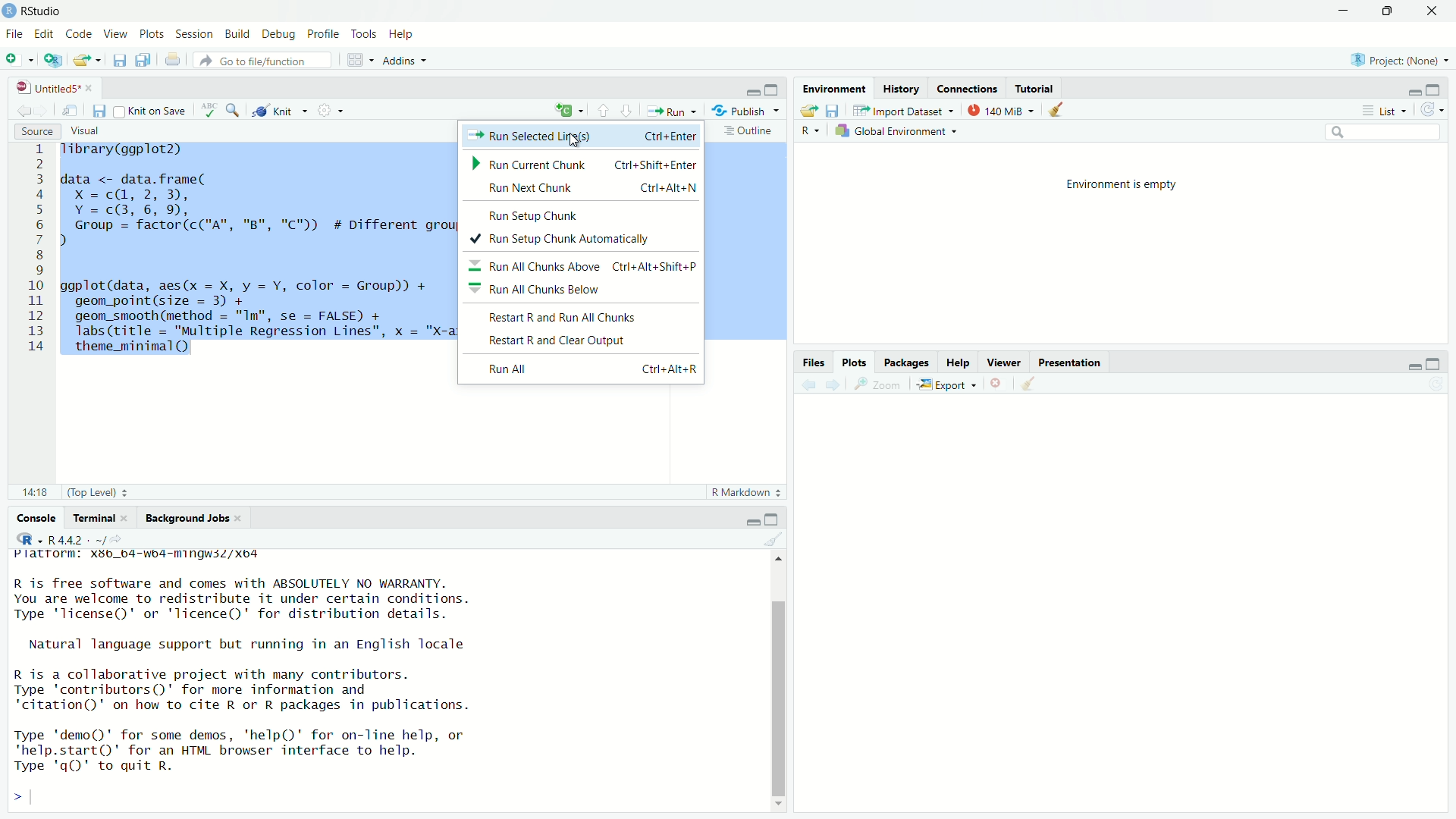 This screenshot has height=819, width=1456. What do you see at coordinates (174, 62) in the screenshot?
I see `print` at bounding box center [174, 62].